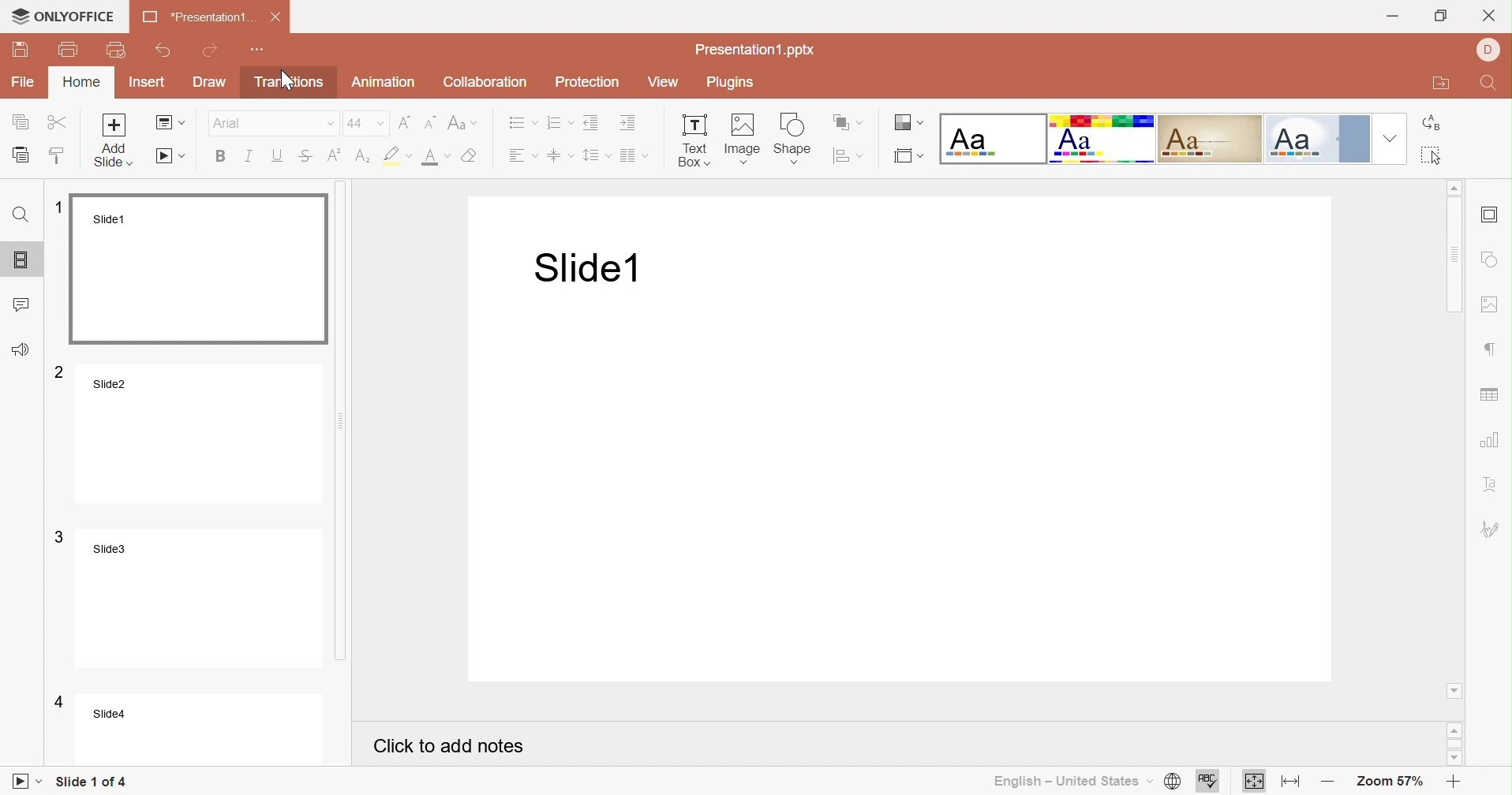  What do you see at coordinates (1455, 689) in the screenshot?
I see `Scroll down` at bounding box center [1455, 689].